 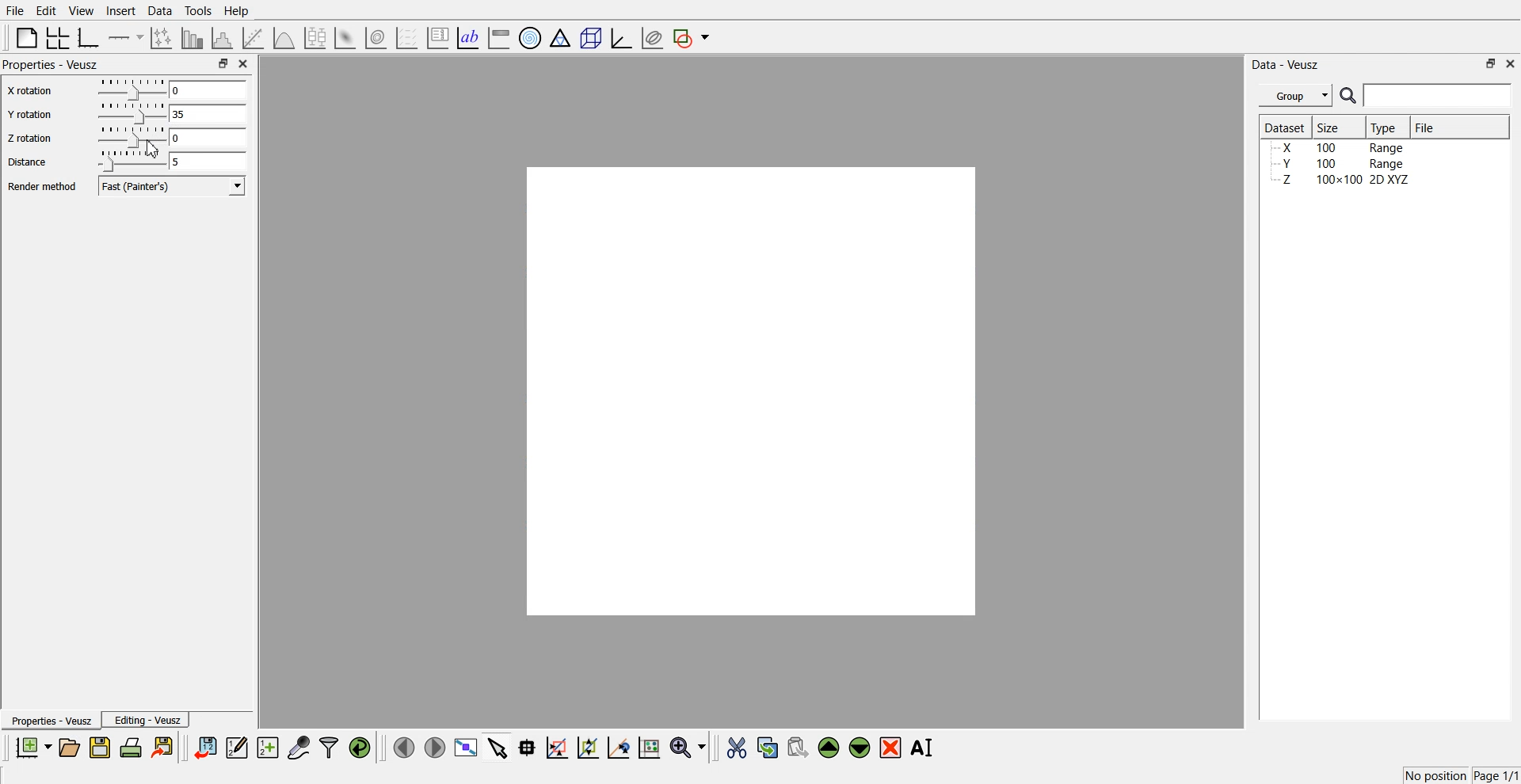 What do you see at coordinates (406, 39) in the screenshot?
I see `Plot a vector field` at bounding box center [406, 39].